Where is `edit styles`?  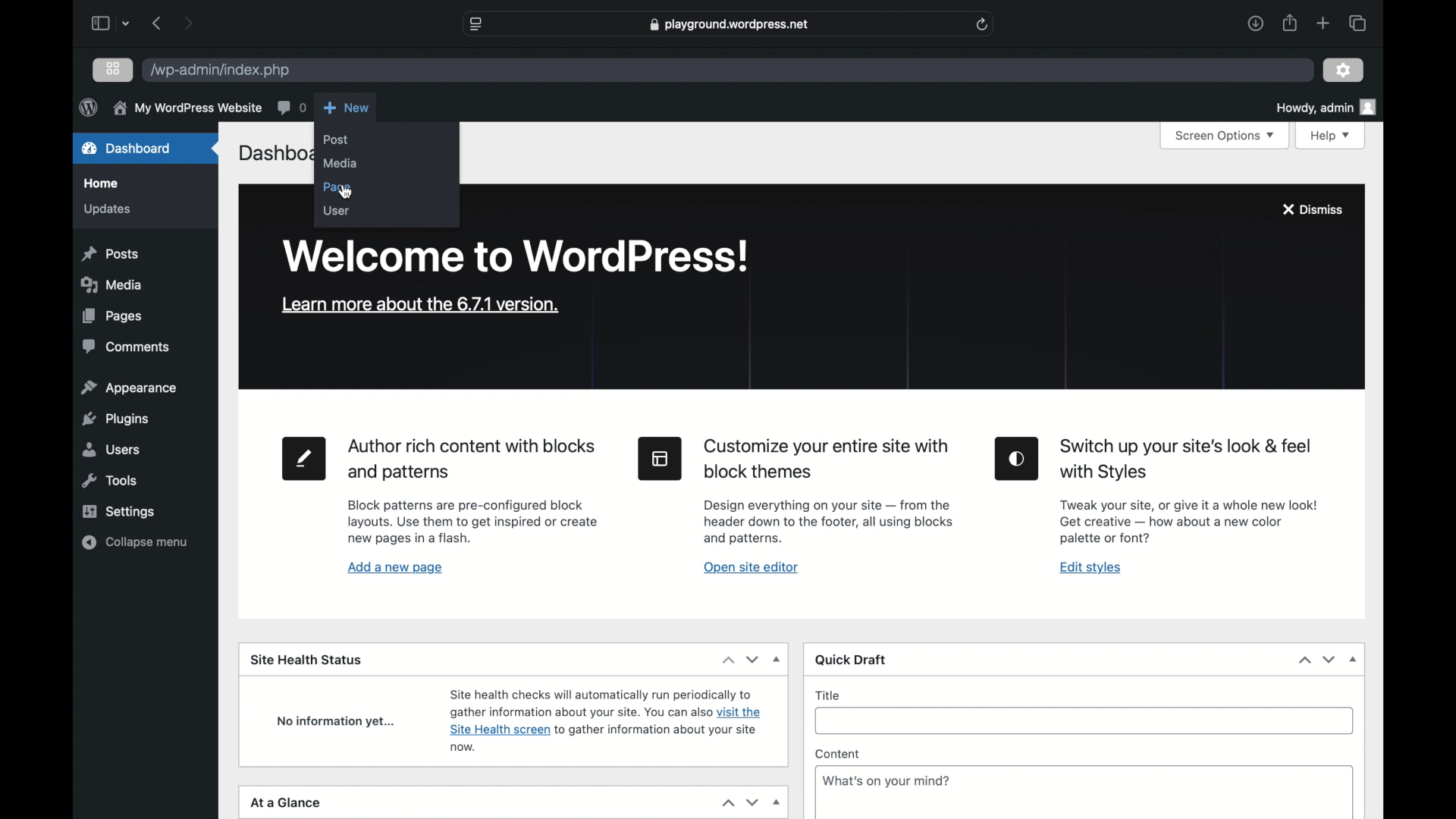 edit styles is located at coordinates (1091, 568).